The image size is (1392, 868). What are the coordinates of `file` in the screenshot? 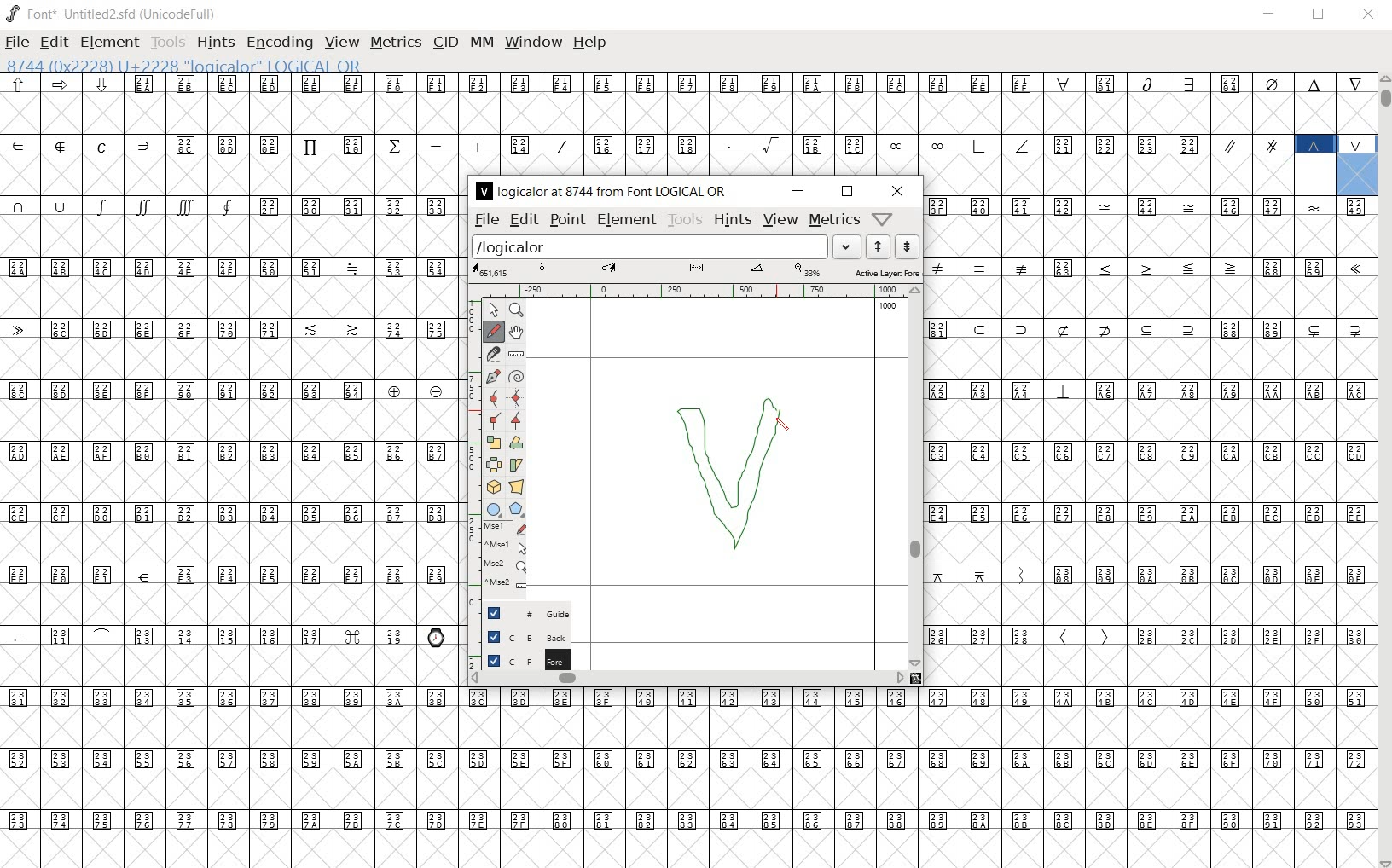 It's located at (18, 42).